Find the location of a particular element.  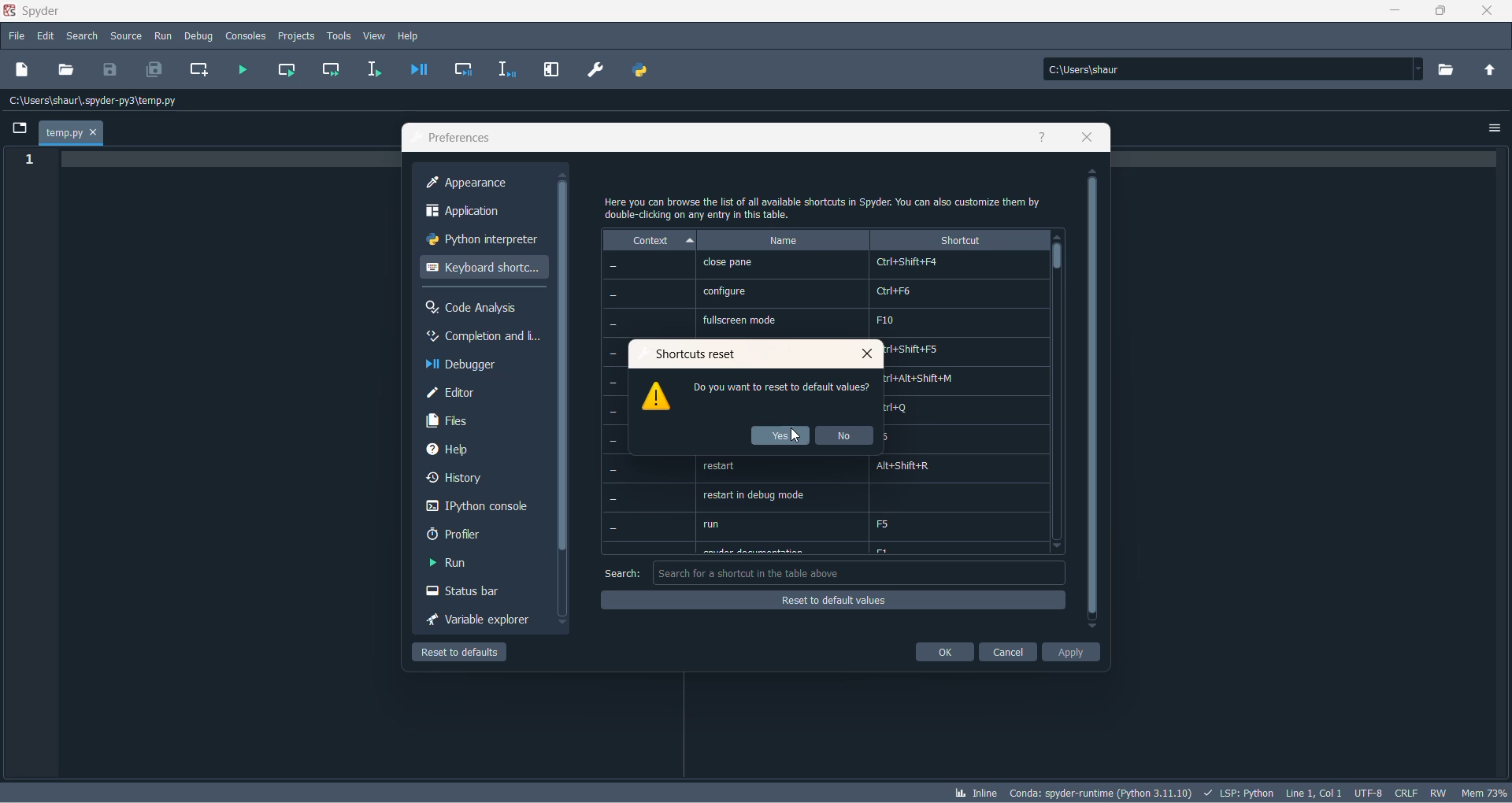

scrollbar is located at coordinates (1061, 259).